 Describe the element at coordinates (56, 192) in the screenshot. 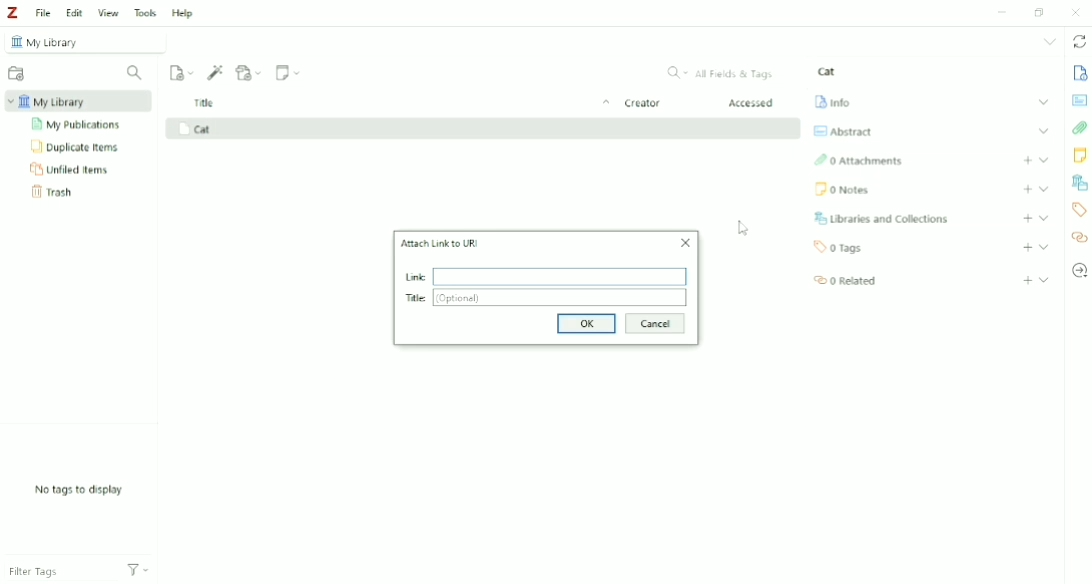

I see `Trash` at that location.